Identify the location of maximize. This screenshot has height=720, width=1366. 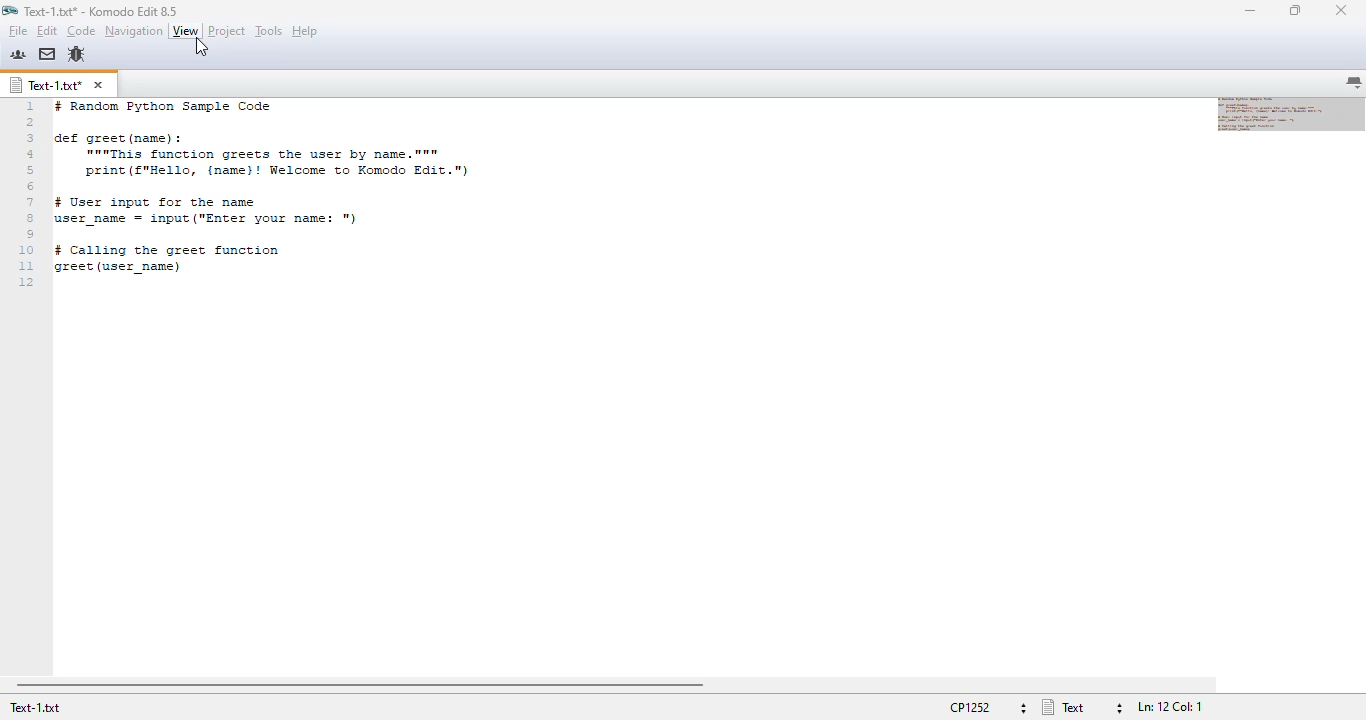
(1295, 10).